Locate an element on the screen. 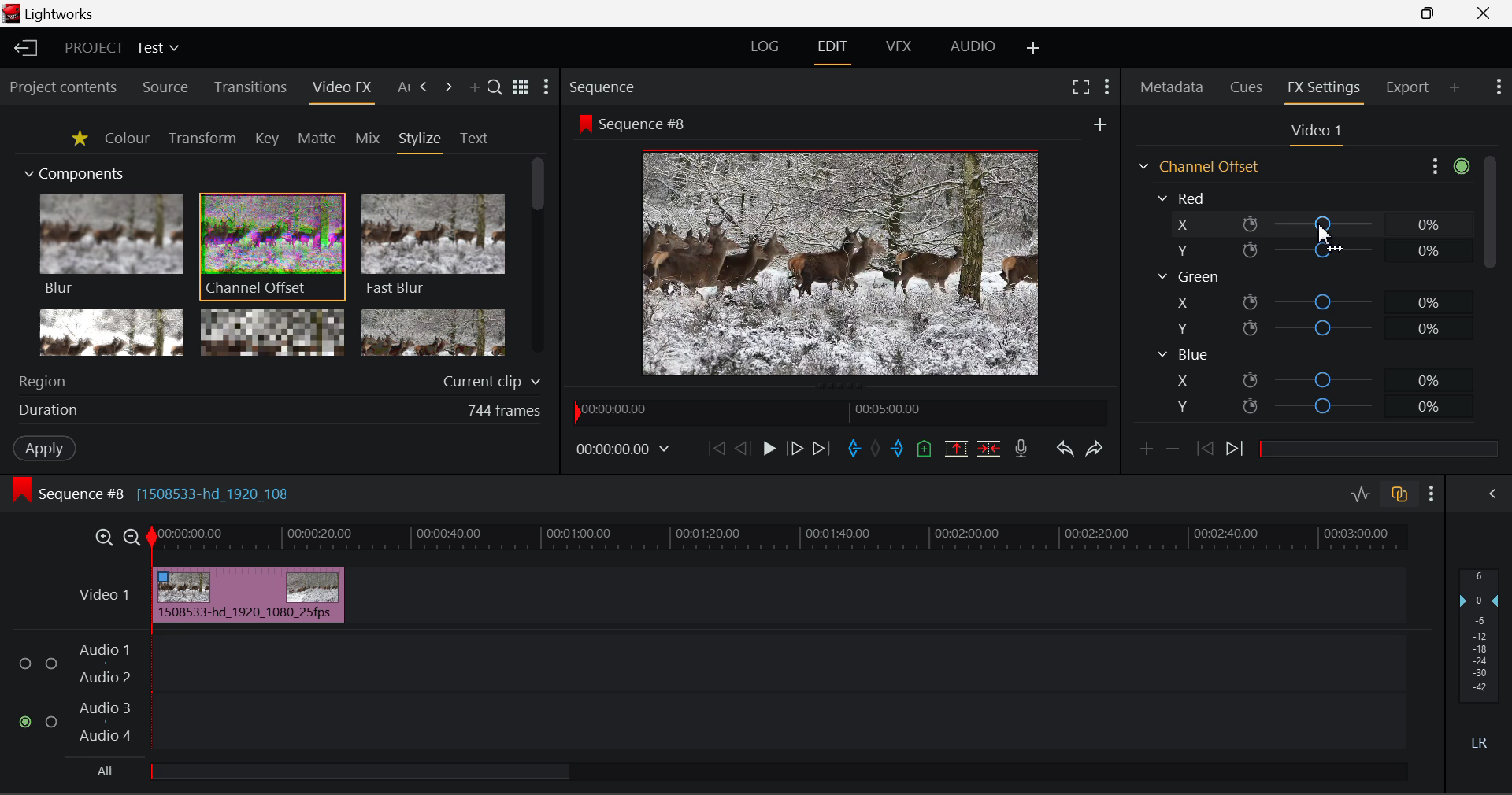 This screenshot has width=1512, height=795. Stylize Tab Open is located at coordinates (419, 142).